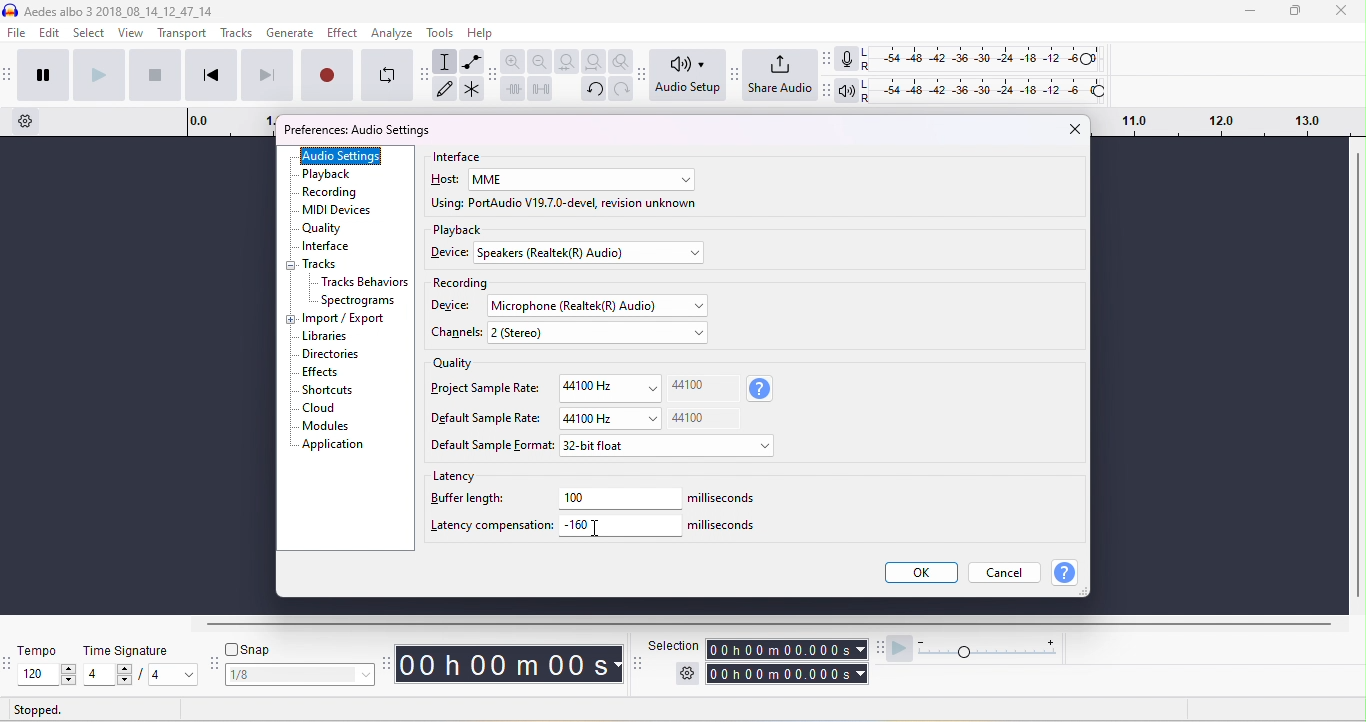  Describe the element at coordinates (441, 32) in the screenshot. I see `tools` at that location.